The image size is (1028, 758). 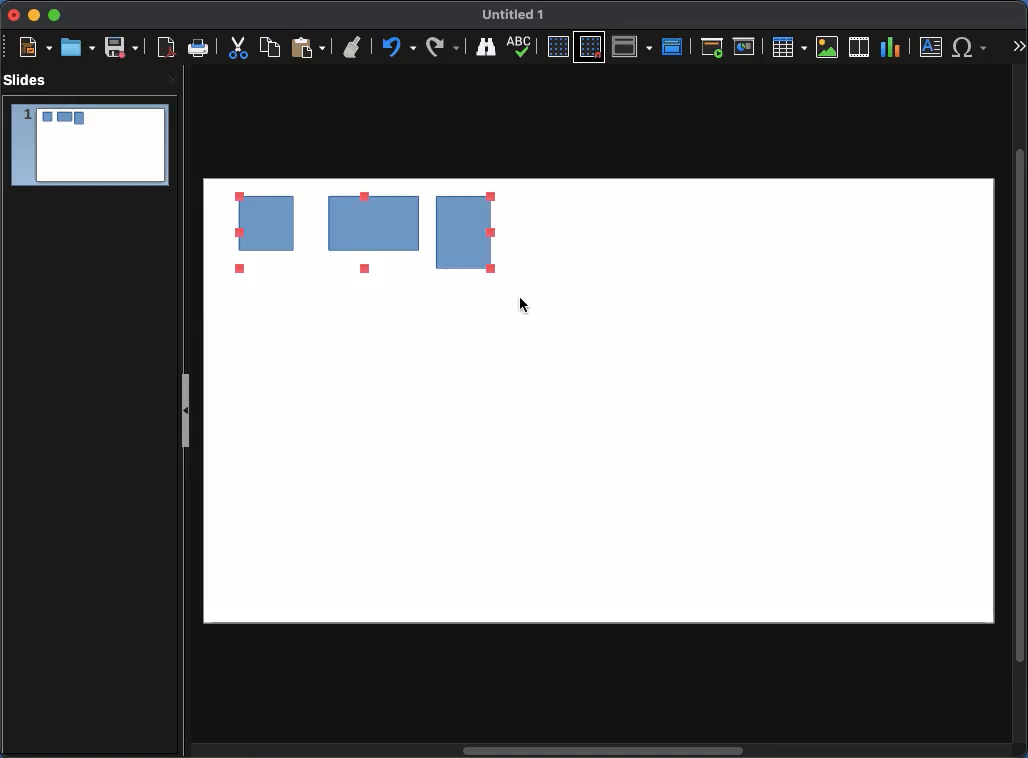 What do you see at coordinates (1020, 406) in the screenshot?
I see `Scroll` at bounding box center [1020, 406].